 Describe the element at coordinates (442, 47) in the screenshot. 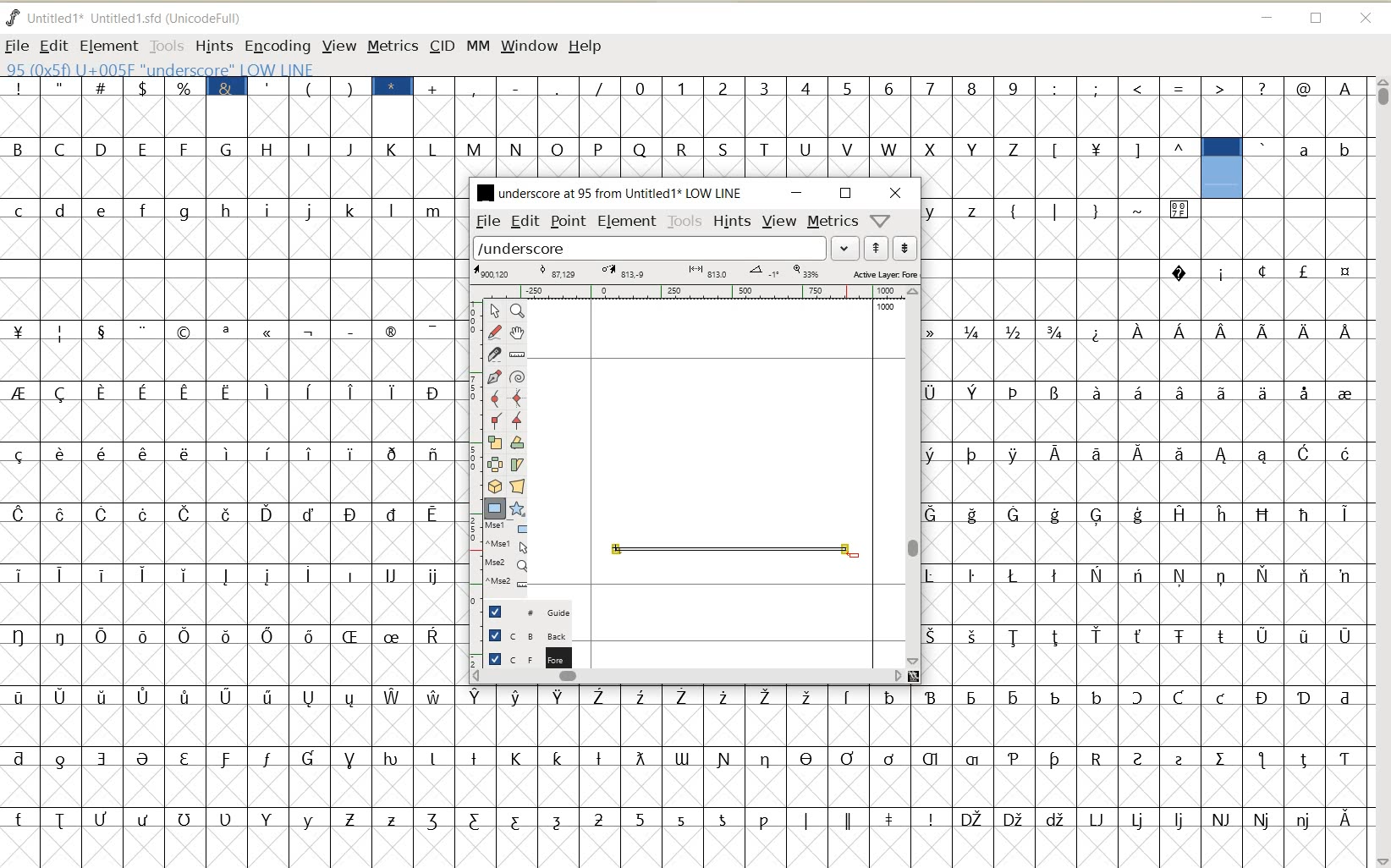

I see `CID` at that location.